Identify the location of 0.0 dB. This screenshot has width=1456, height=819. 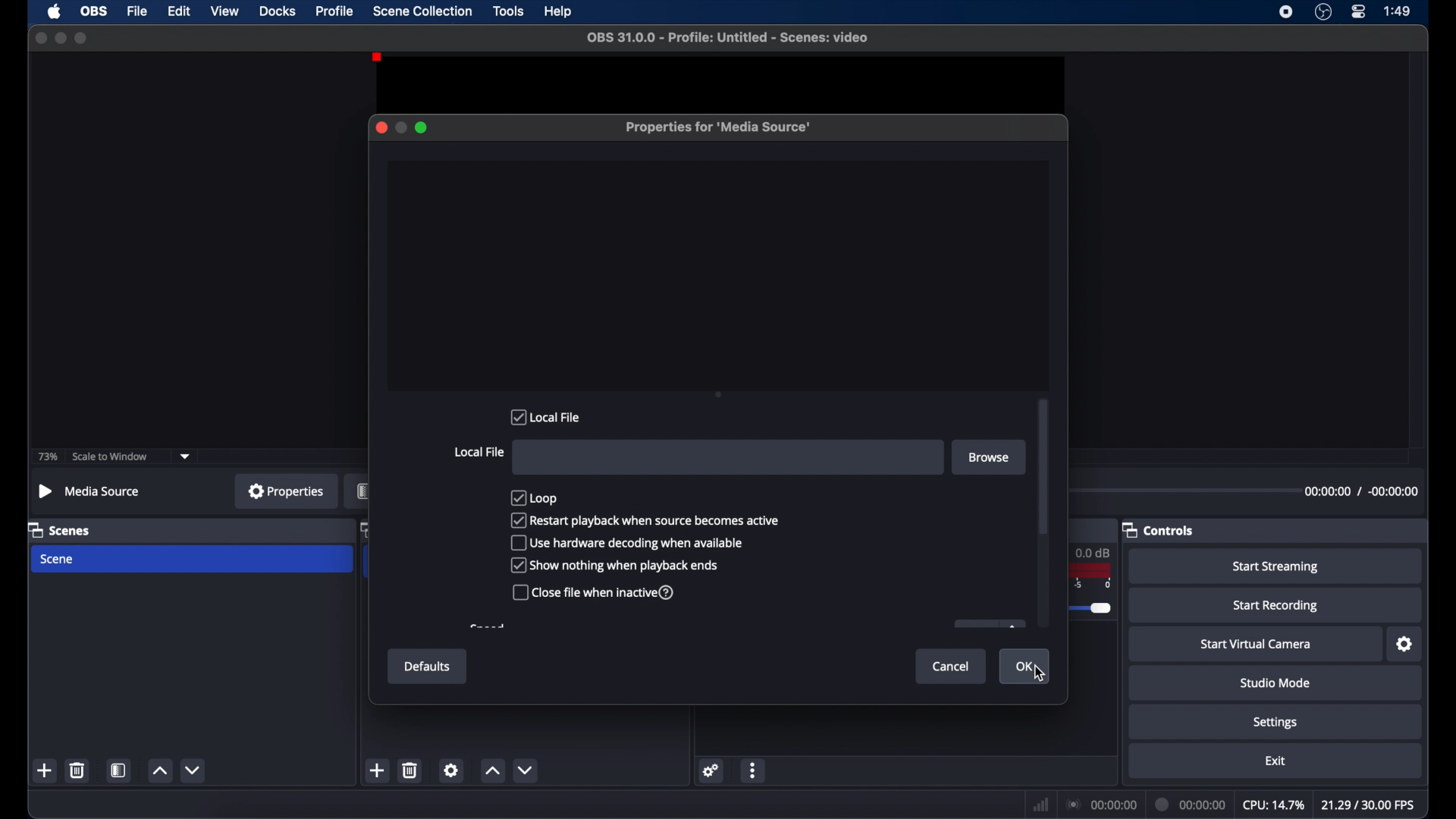
(1097, 551).